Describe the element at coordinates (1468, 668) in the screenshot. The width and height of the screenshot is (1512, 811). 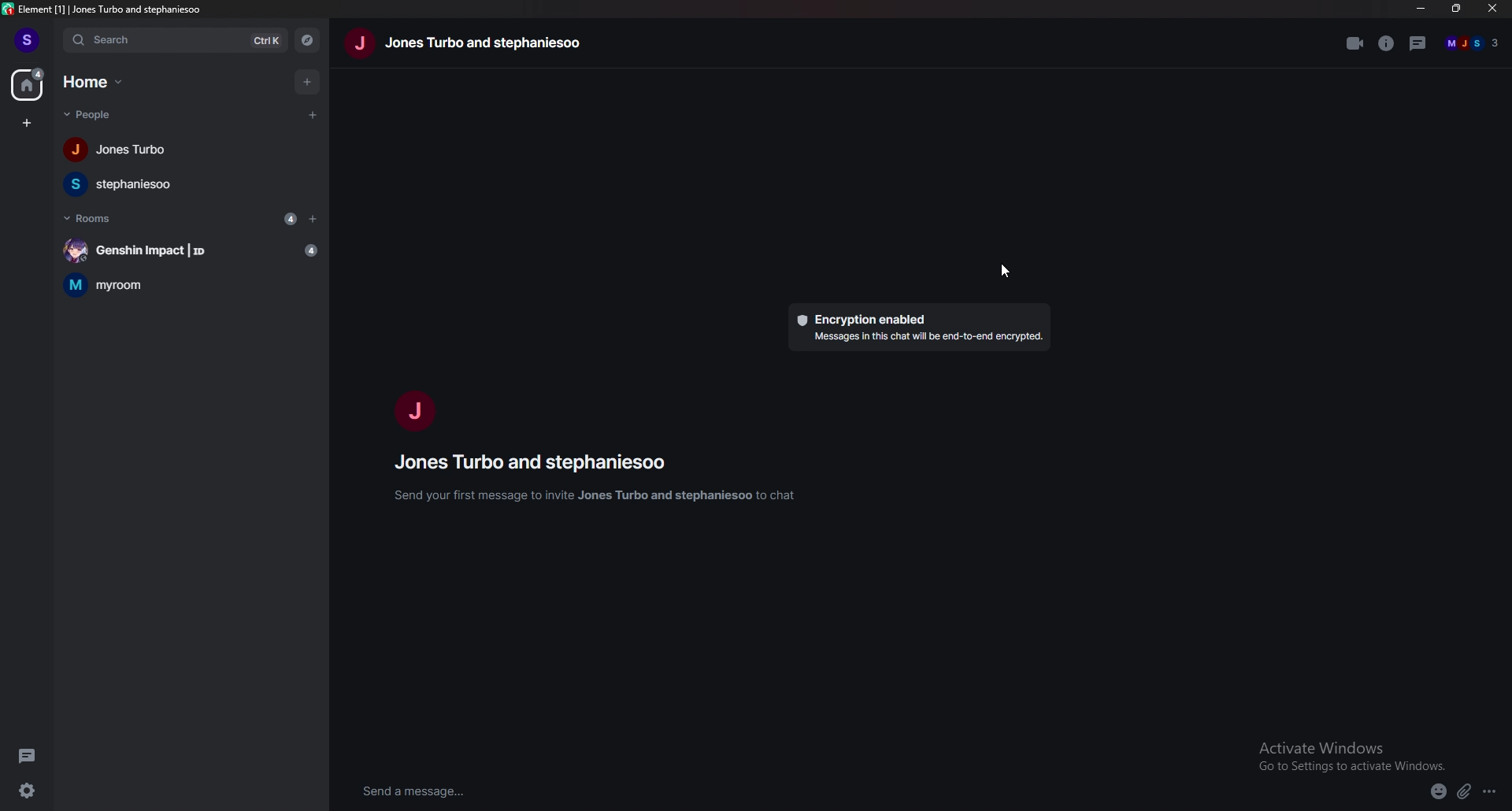
I see `expand` at that location.